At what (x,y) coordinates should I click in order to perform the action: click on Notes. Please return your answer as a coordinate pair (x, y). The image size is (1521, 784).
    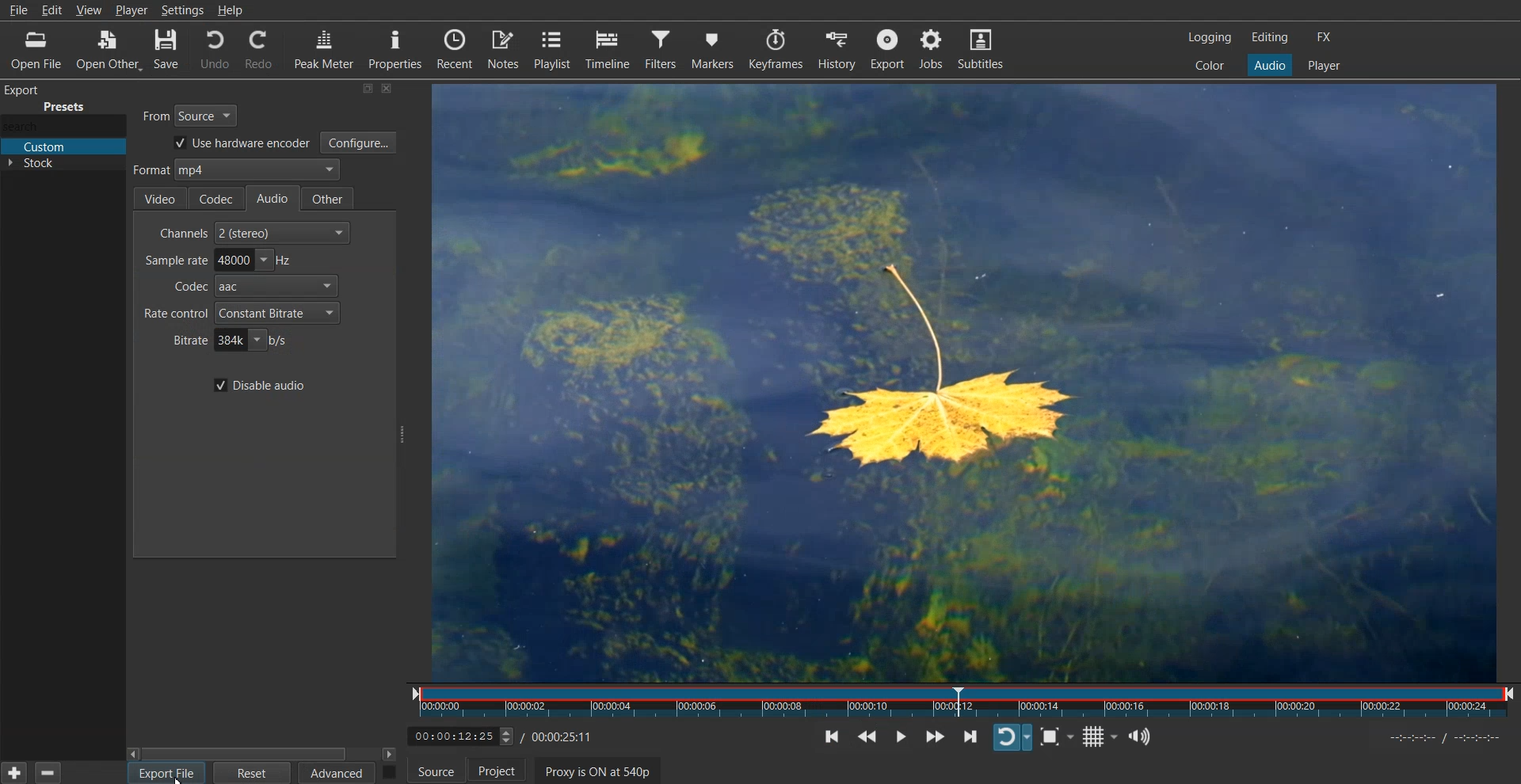
    Looking at the image, I should click on (505, 49).